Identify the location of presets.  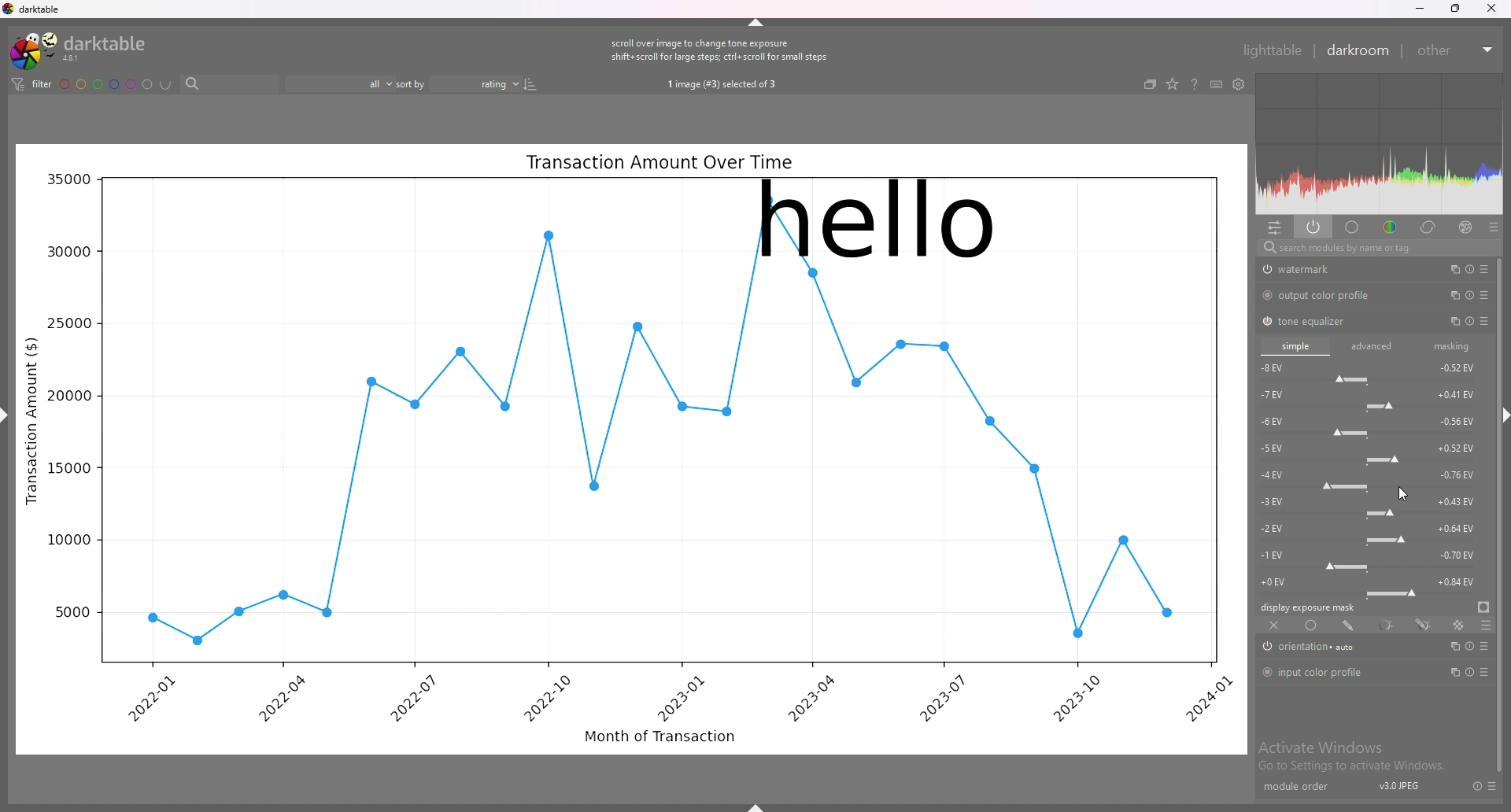
(1491, 786).